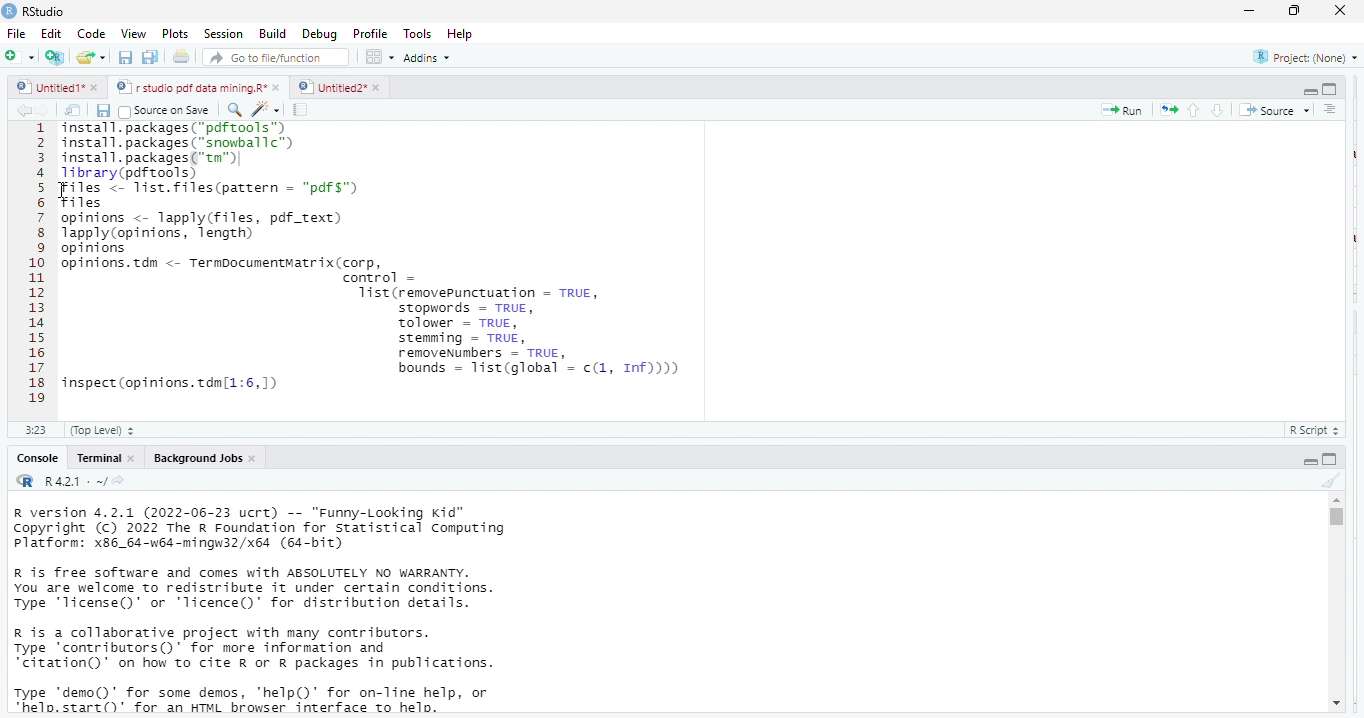 The image size is (1364, 718). I want to click on options, so click(381, 56).